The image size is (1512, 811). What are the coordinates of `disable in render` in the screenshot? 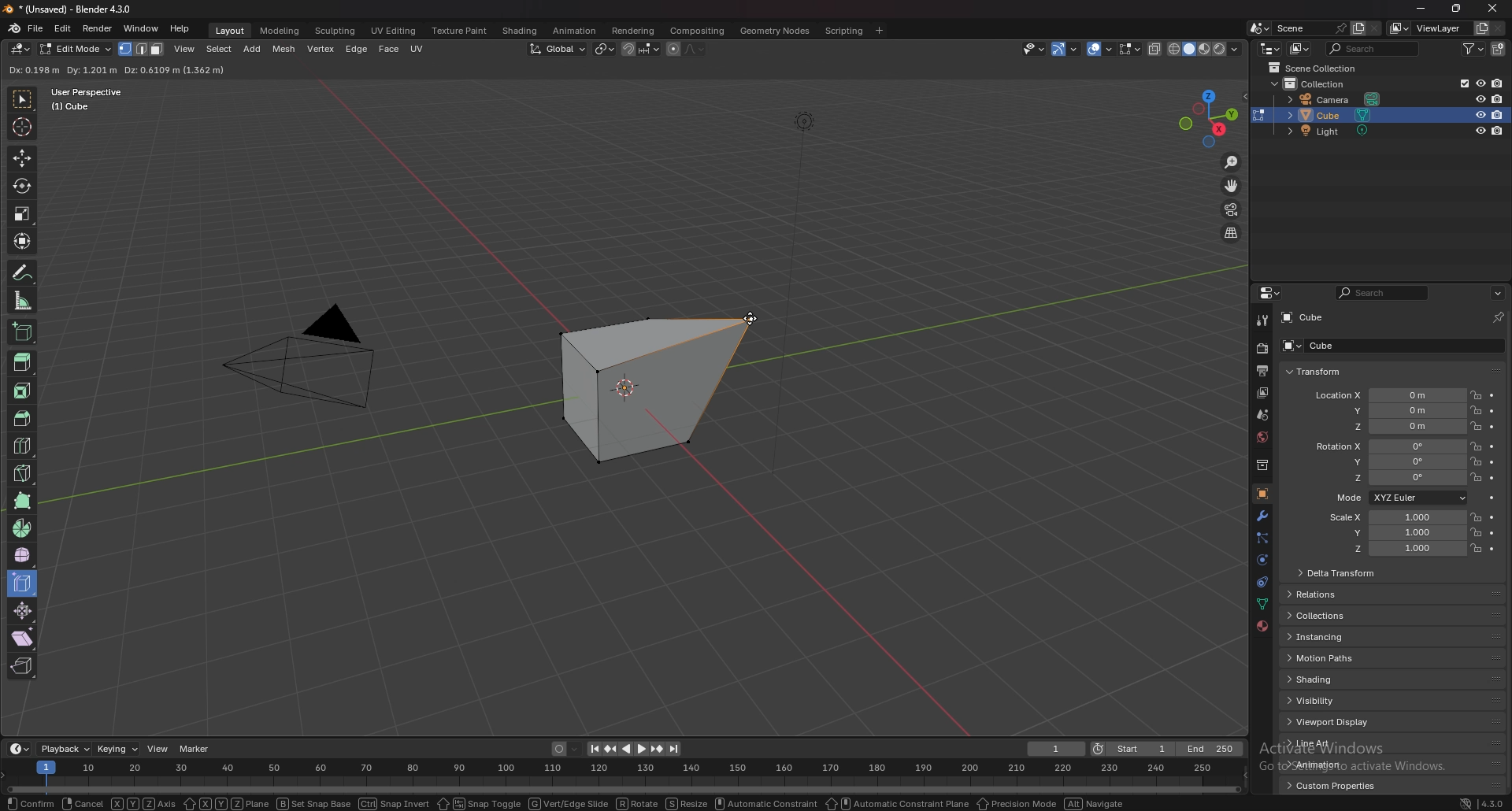 It's located at (1498, 83).